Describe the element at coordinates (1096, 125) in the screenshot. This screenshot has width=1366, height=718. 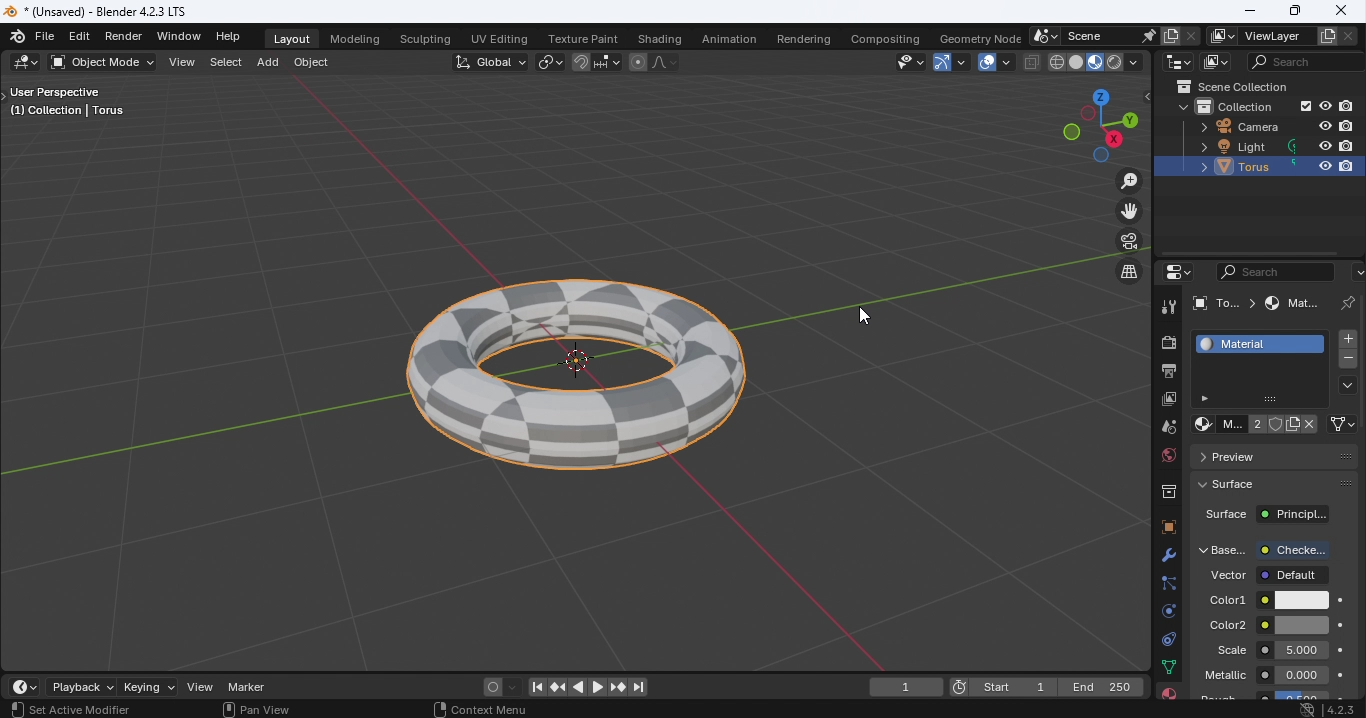
I see `Use a preset viewpoint` at that location.